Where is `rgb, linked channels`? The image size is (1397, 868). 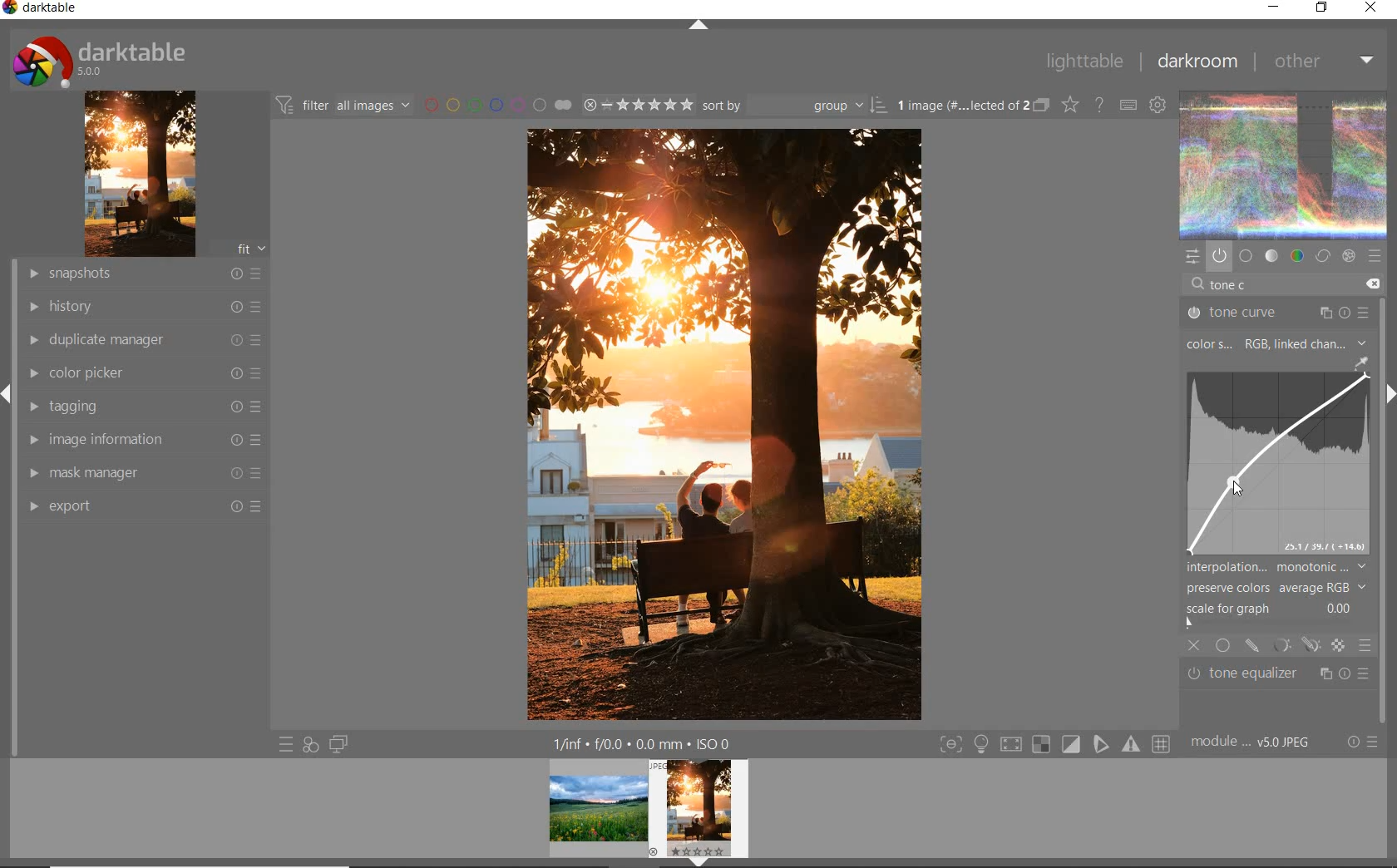 rgb, linked channels is located at coordinates (1307, 343).